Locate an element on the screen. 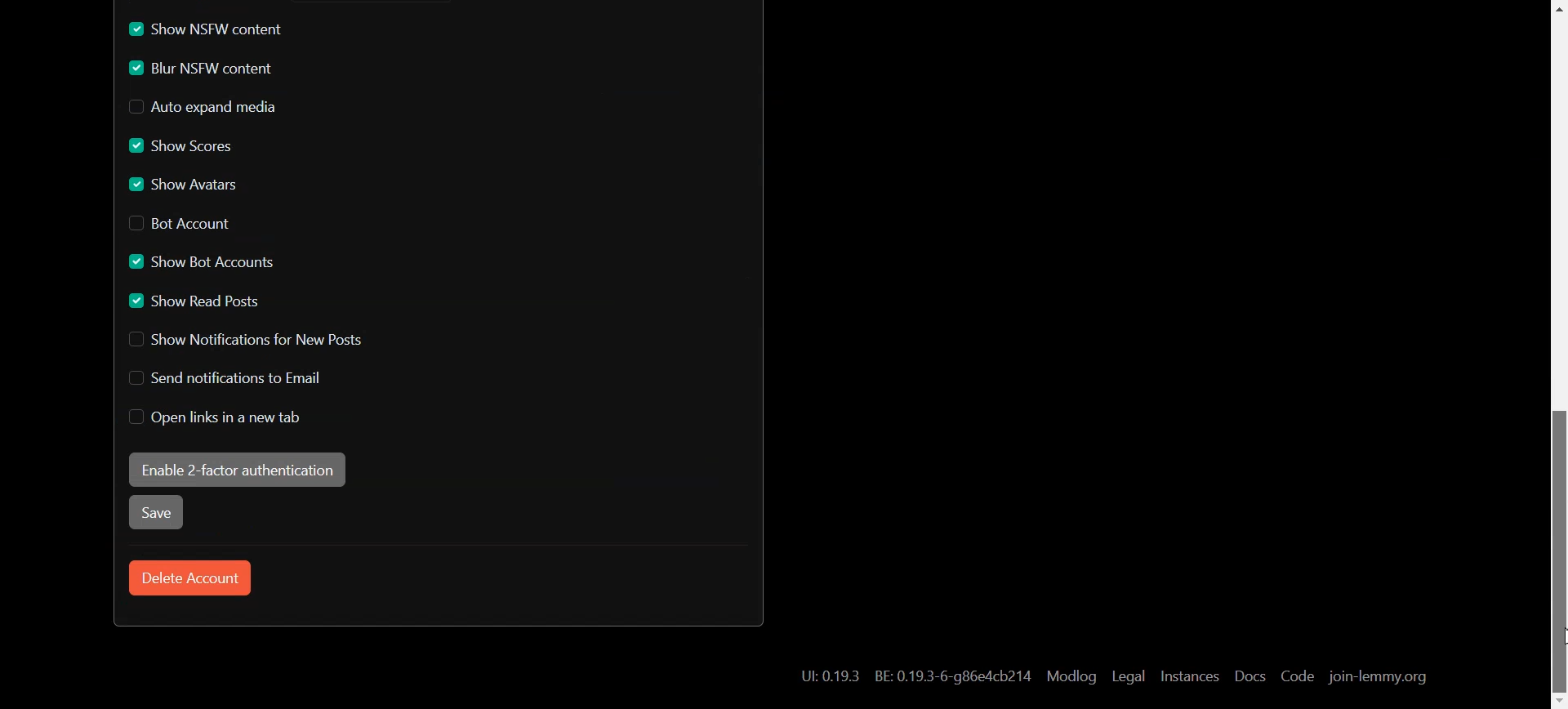 This screenshot has width=1568, height=709. Enable 2-factor authentication is located at coordinates (236, 470).